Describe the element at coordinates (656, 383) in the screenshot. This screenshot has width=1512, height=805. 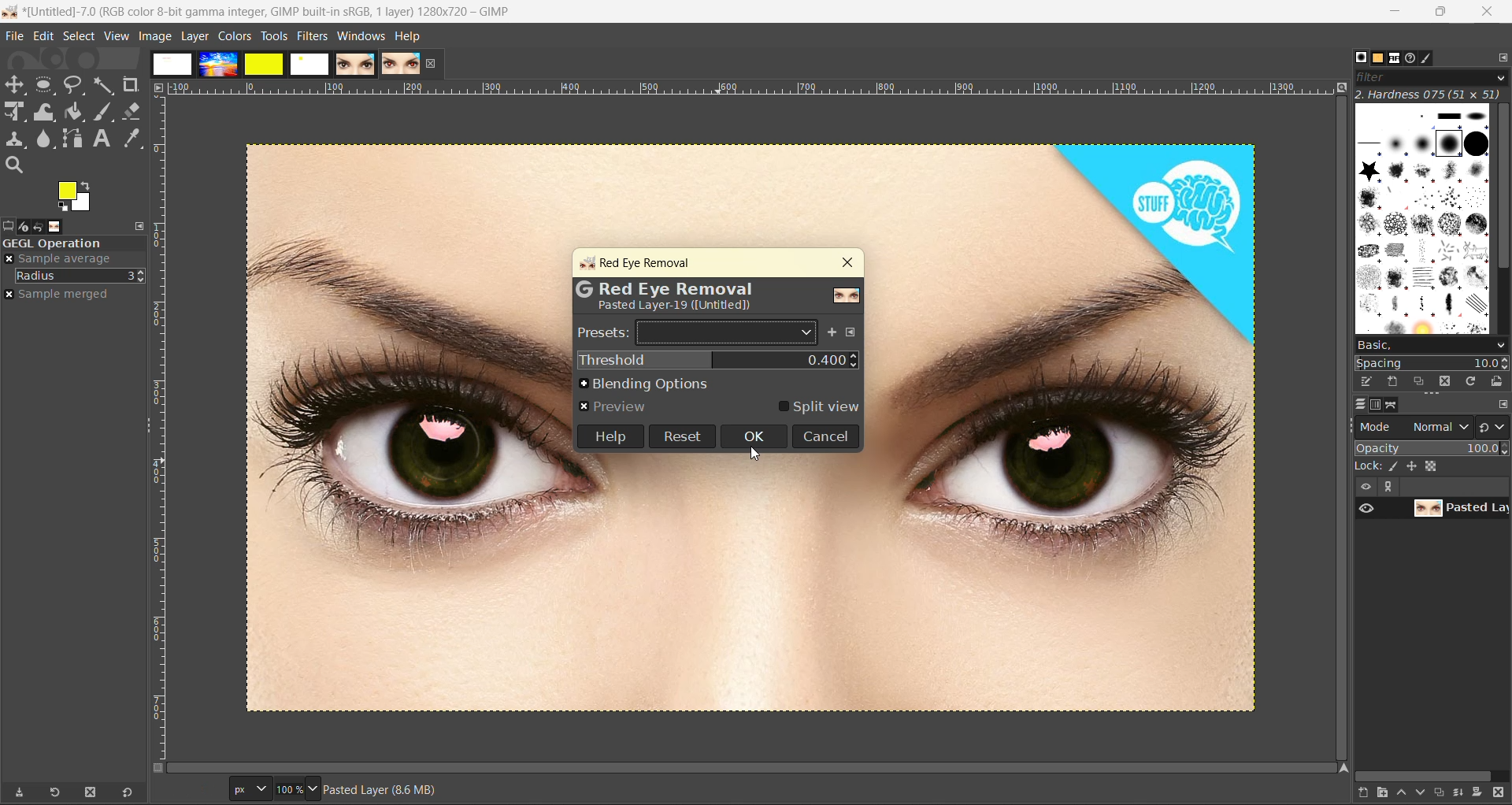
I see `blending options` at that location.